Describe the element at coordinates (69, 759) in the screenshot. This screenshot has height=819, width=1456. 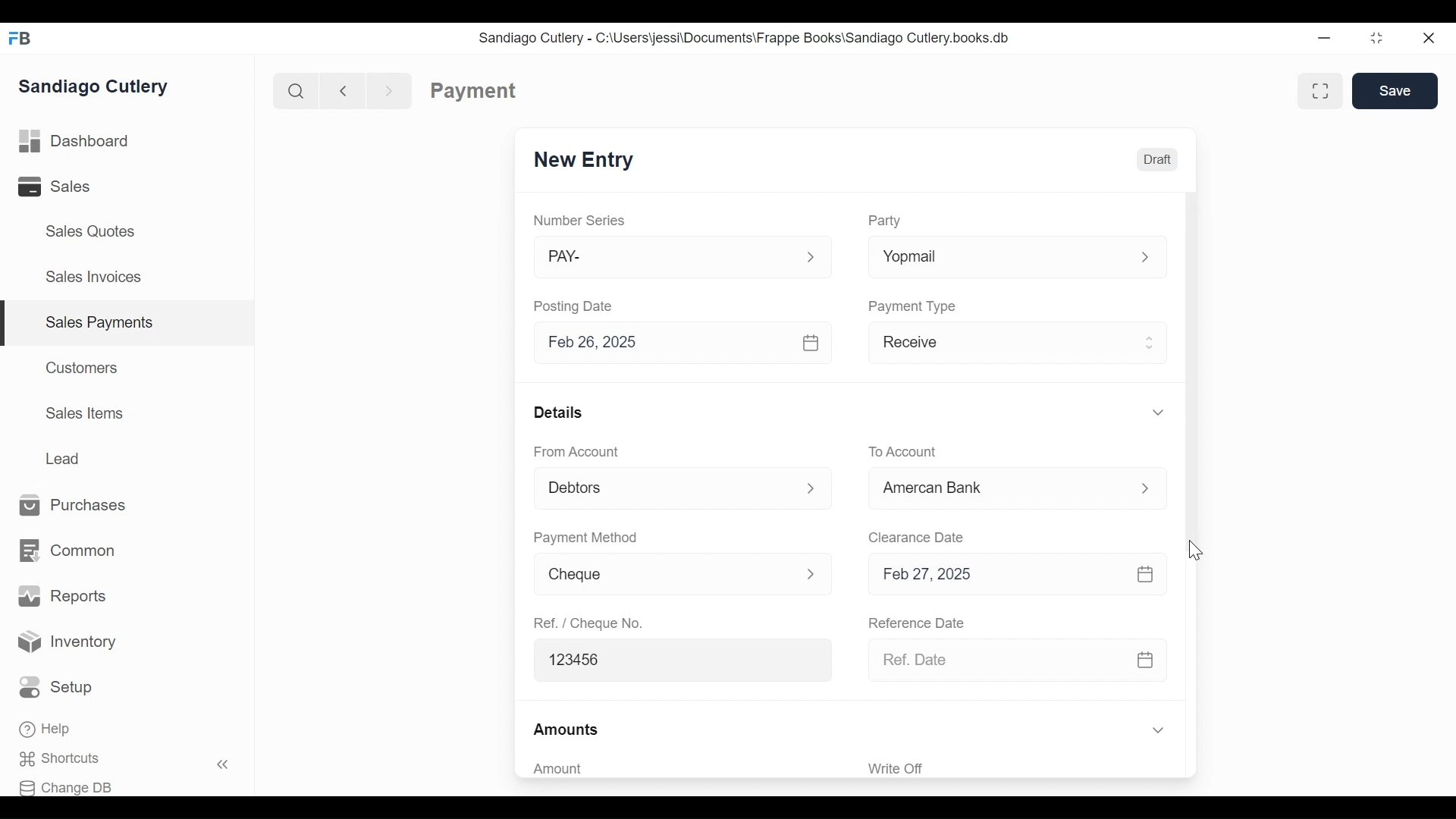
I see `Shortcuts` at that location.